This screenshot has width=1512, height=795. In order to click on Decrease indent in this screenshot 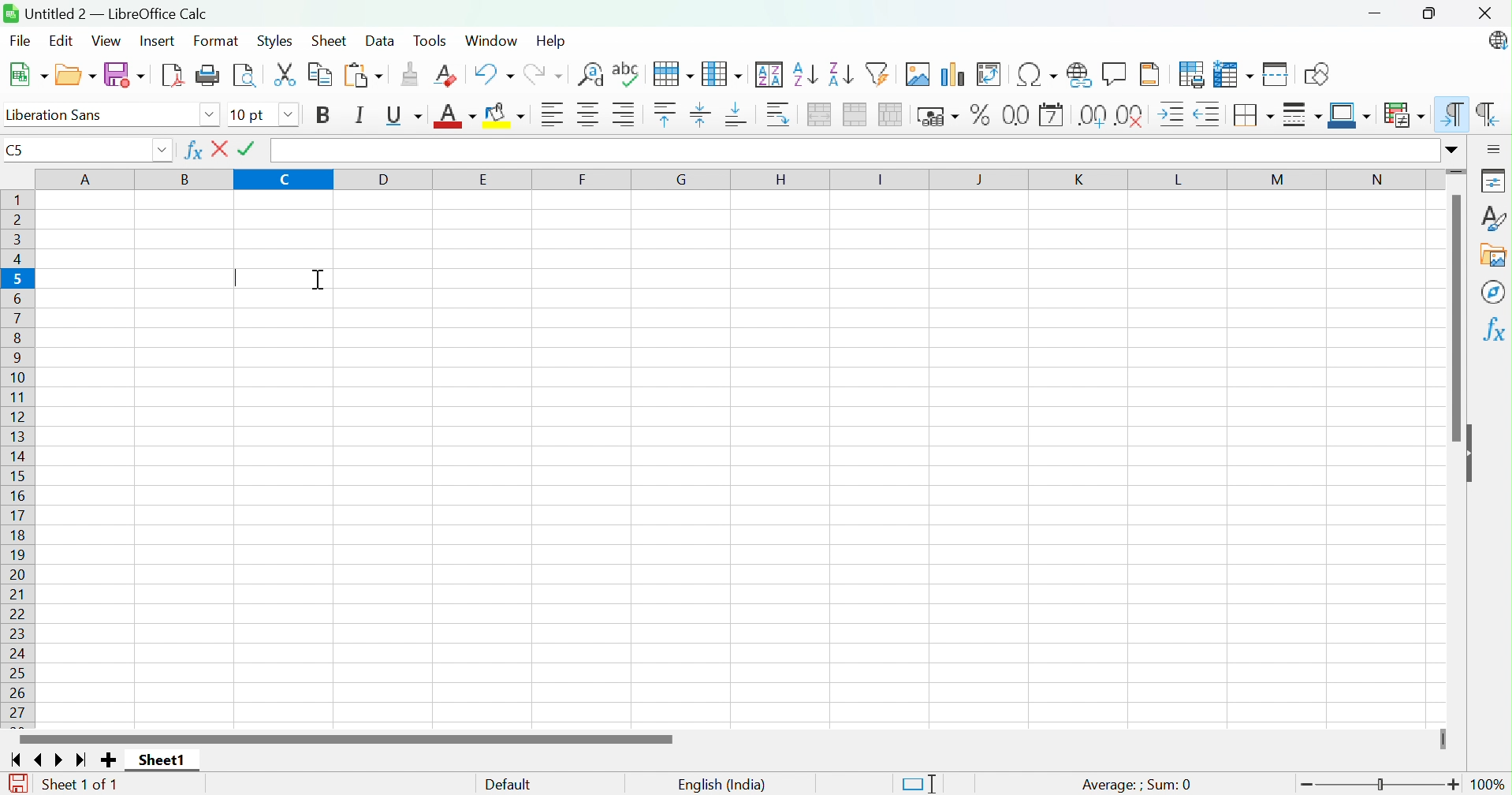, I will do `click(1208, 116)`.